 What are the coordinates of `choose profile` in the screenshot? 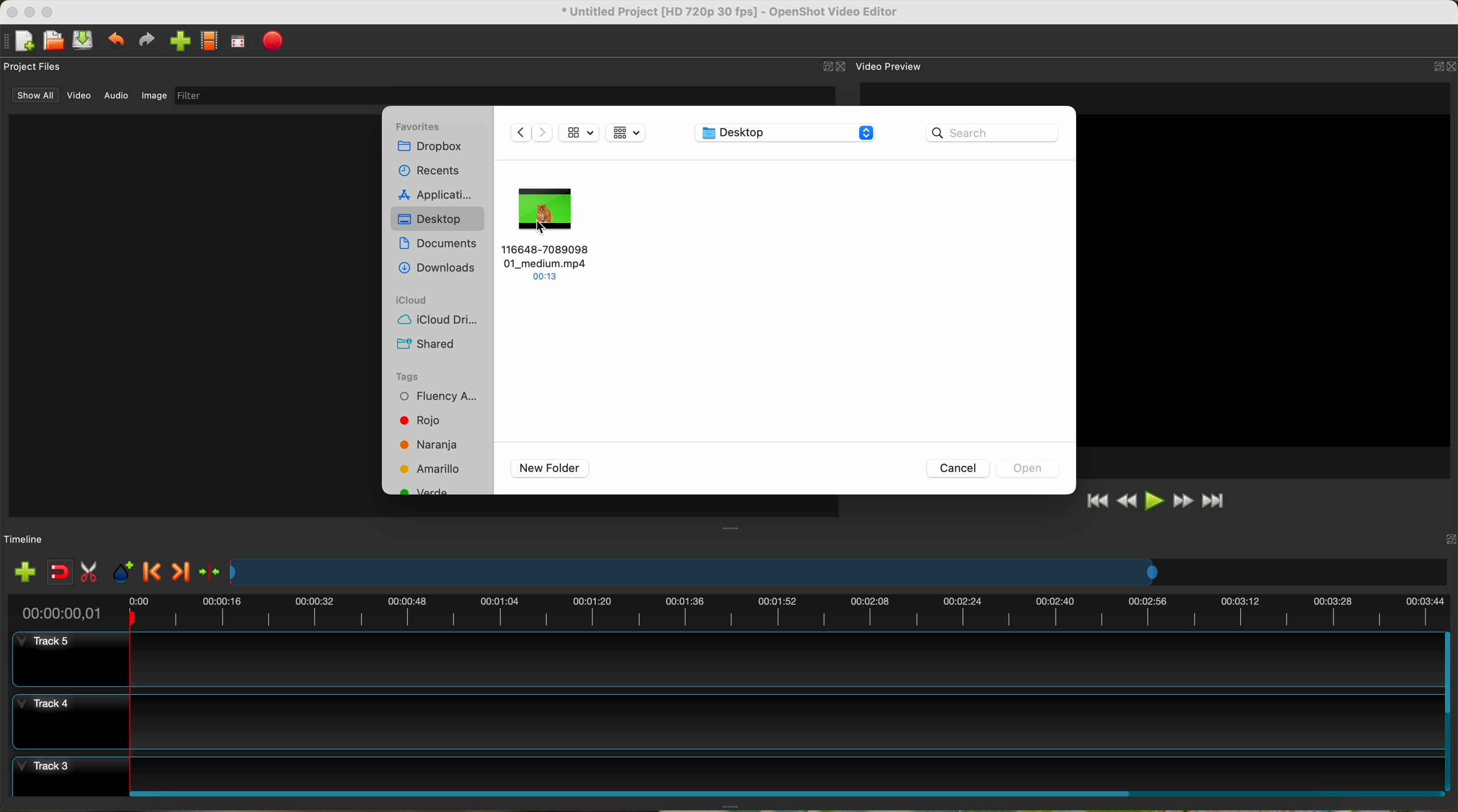 It's located at (209, 41).